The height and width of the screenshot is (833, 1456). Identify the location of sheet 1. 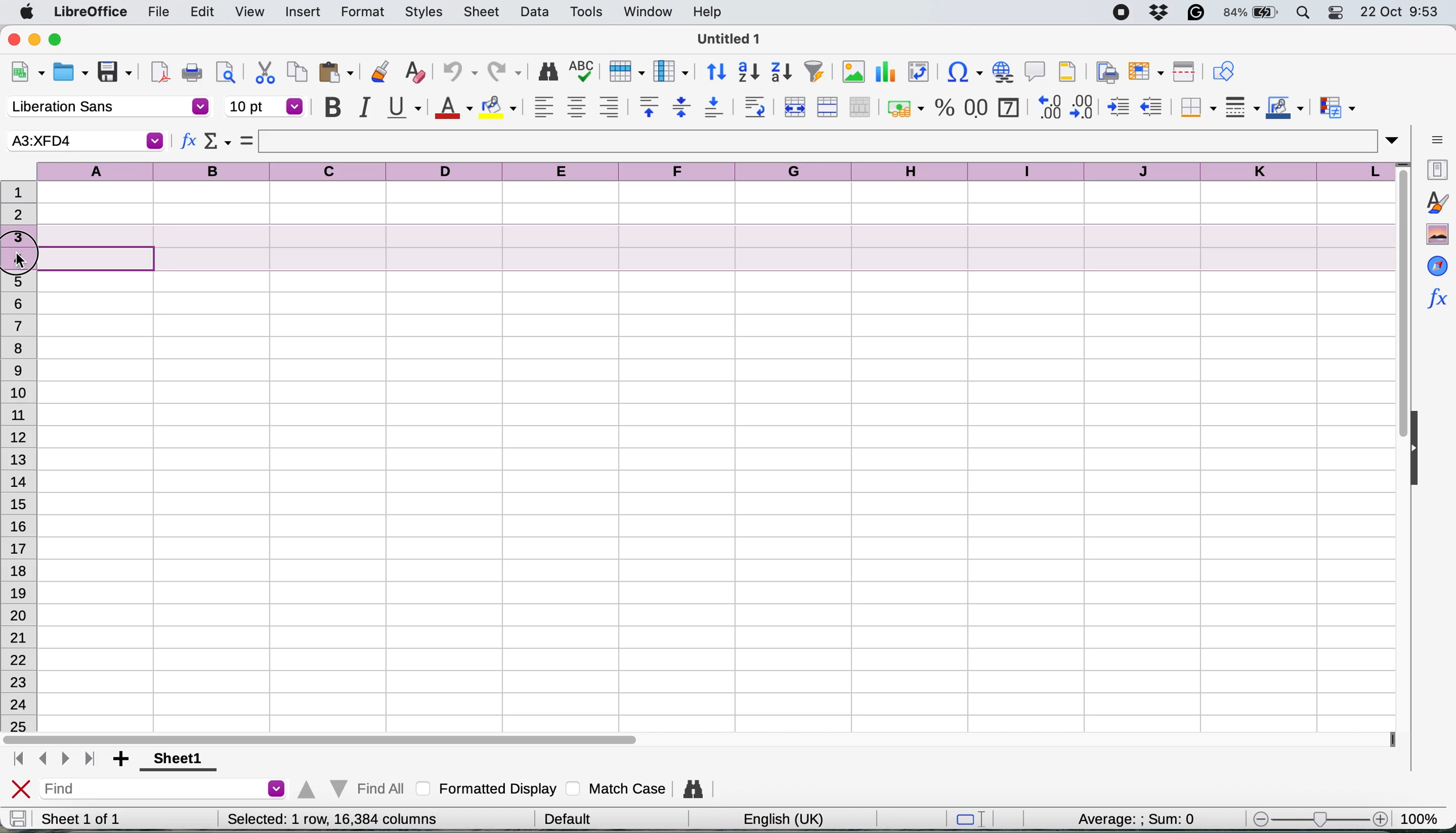
(174, 760).